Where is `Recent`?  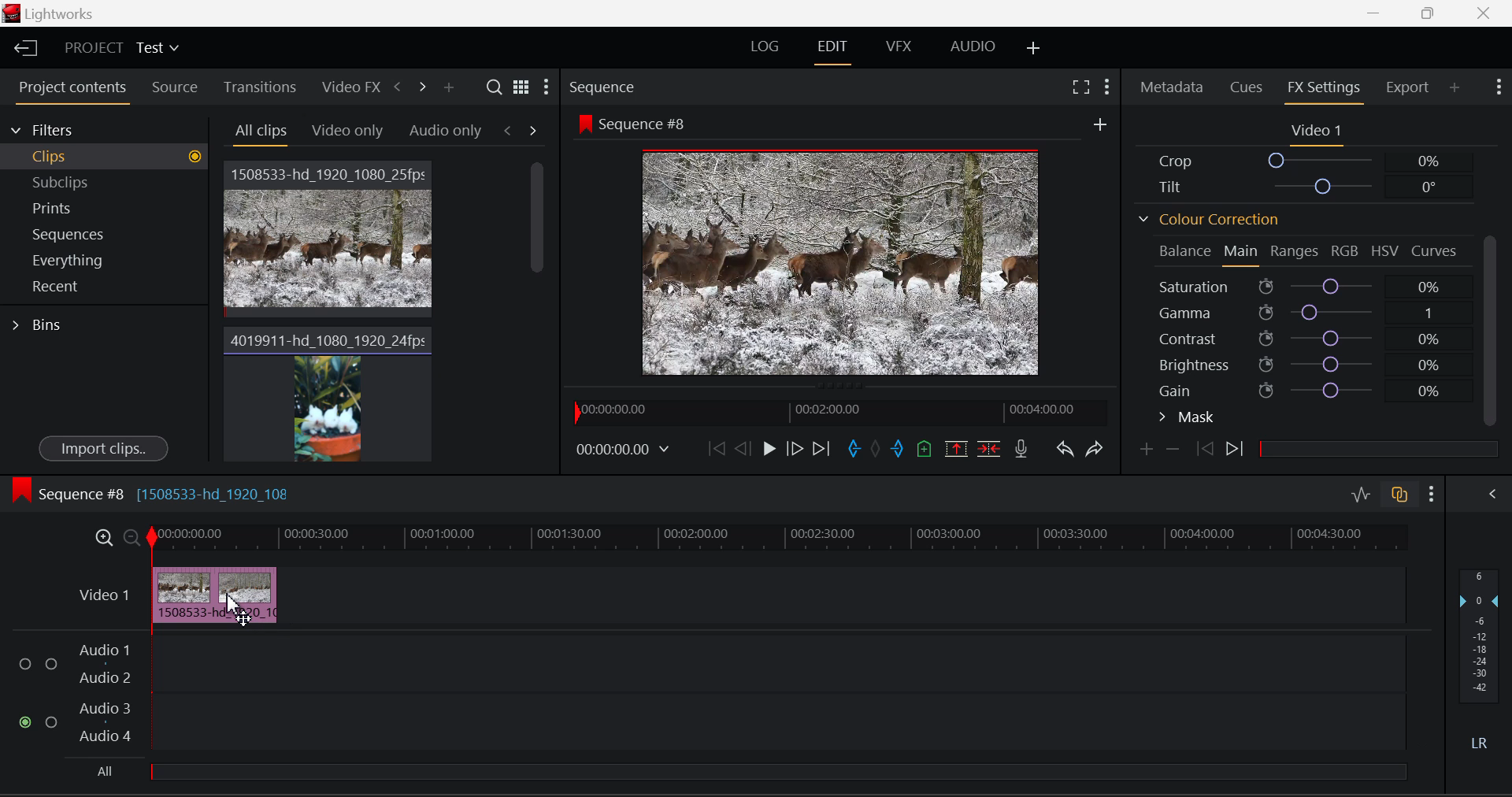 Recent is located at coordinates (109, 289).